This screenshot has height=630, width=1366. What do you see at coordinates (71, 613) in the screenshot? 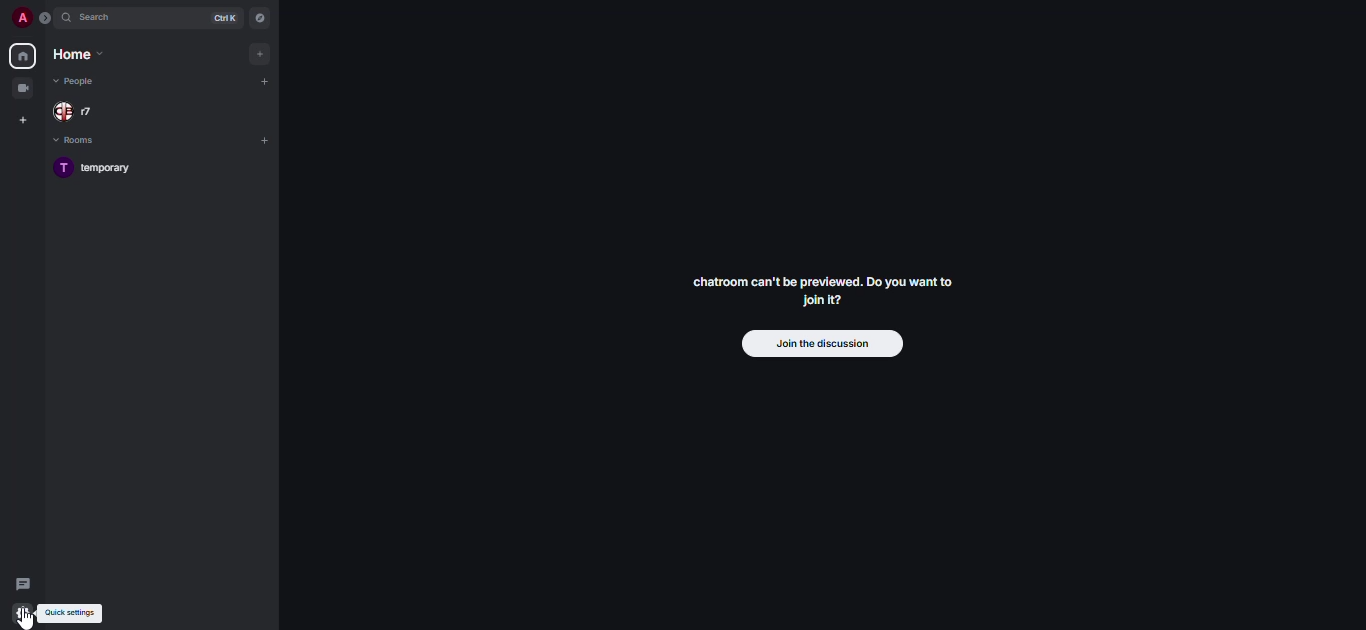
I see `quick settings` at bounding box center [71, 613].